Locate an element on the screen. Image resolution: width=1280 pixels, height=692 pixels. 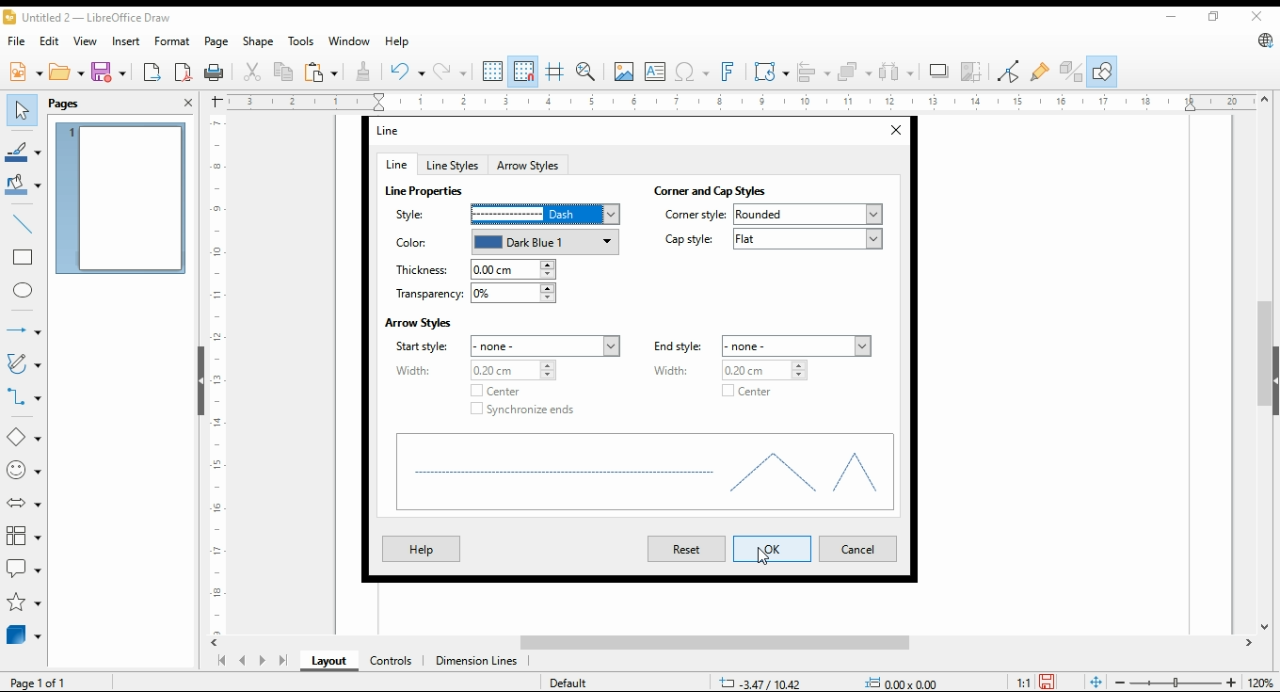
lines and arrows is located at coordinates (23, 331).